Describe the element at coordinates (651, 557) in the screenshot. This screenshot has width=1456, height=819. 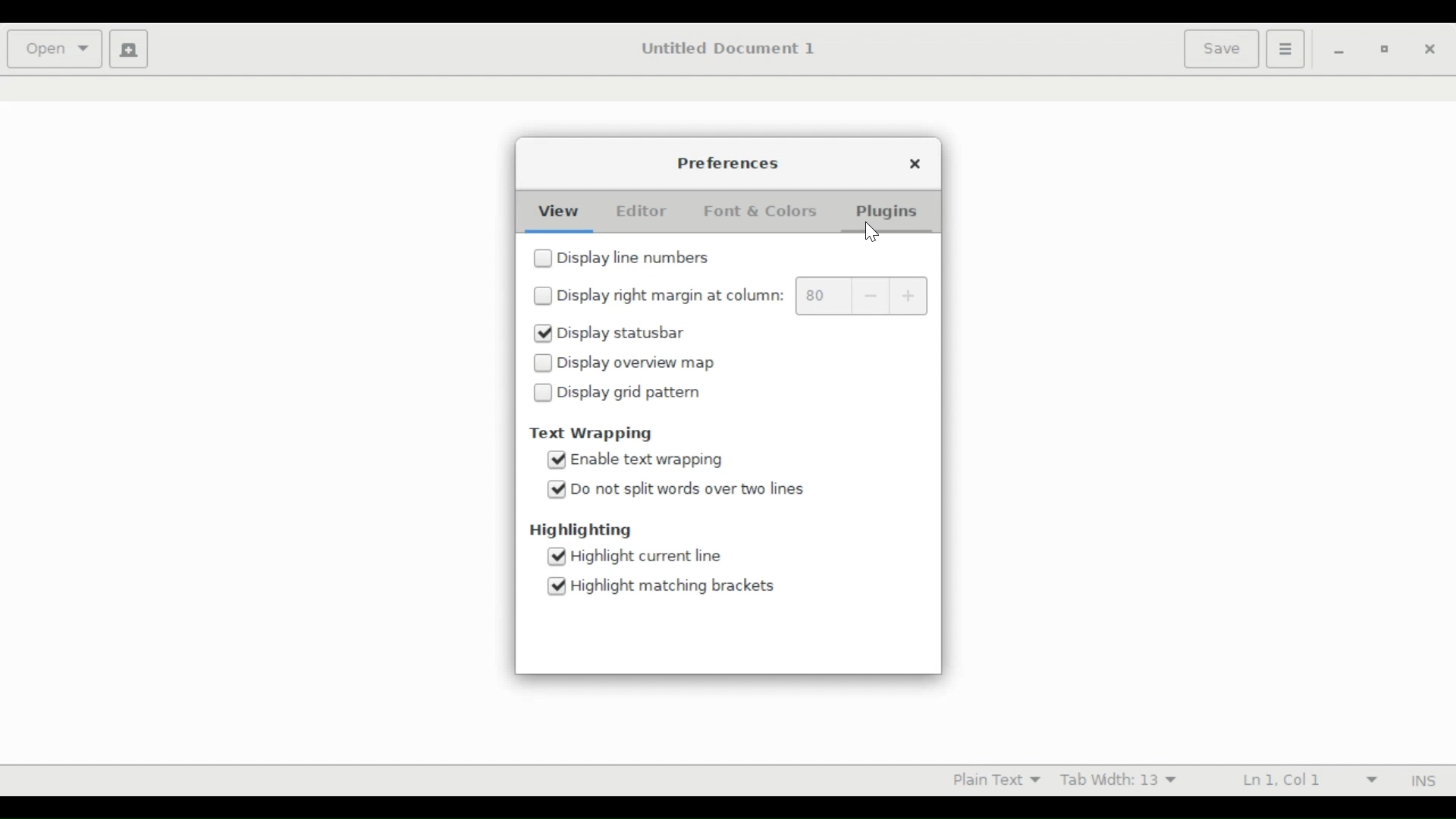
I see `(un)check Highlight current line` at that location.